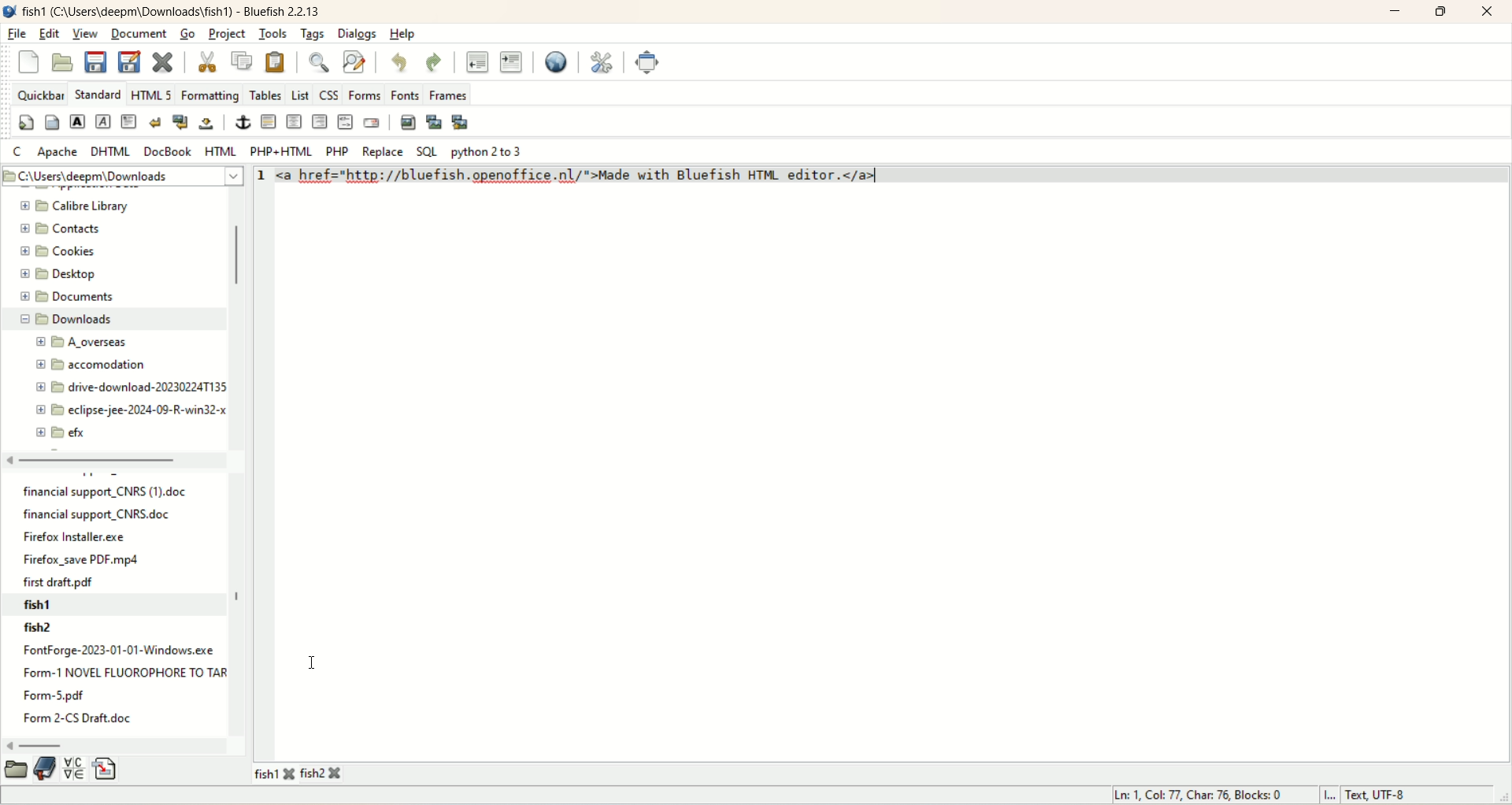  What do you see at coordinates (128, 65) in the screenshot?
I see `save file as` at bounding box center [128, 65].